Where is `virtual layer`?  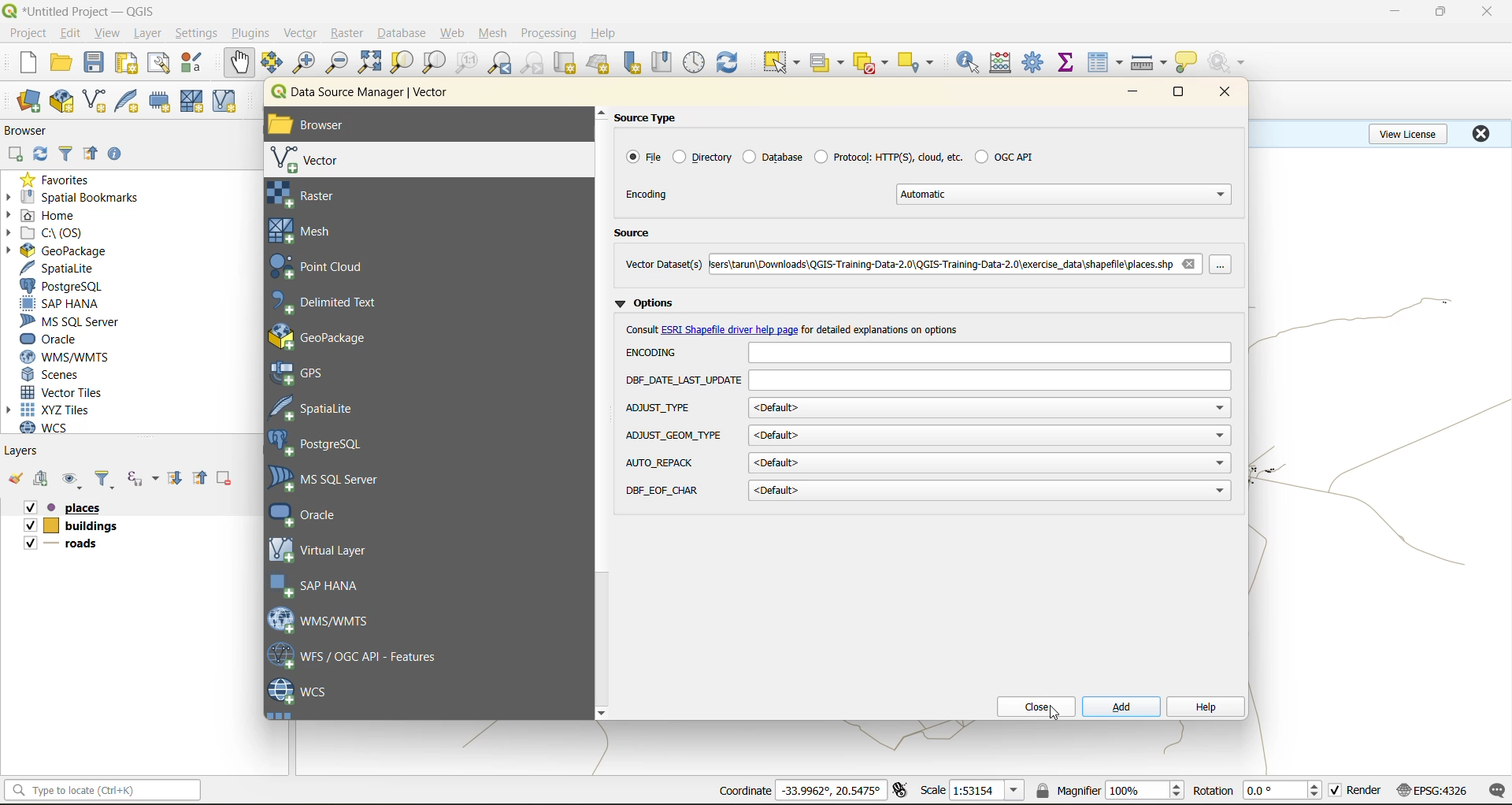
virtual layer is located at coordinates (322, 549).